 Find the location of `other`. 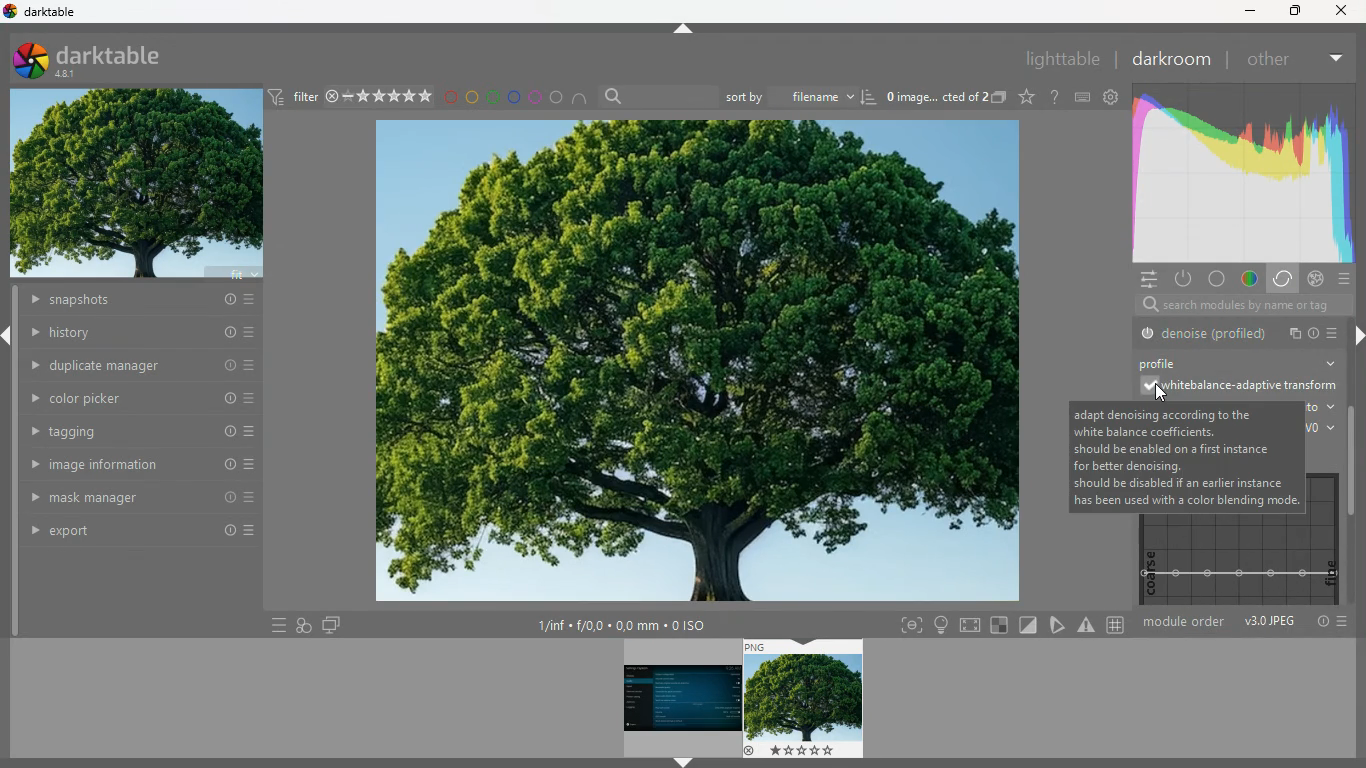

other is located at coordinates (1274, 58).